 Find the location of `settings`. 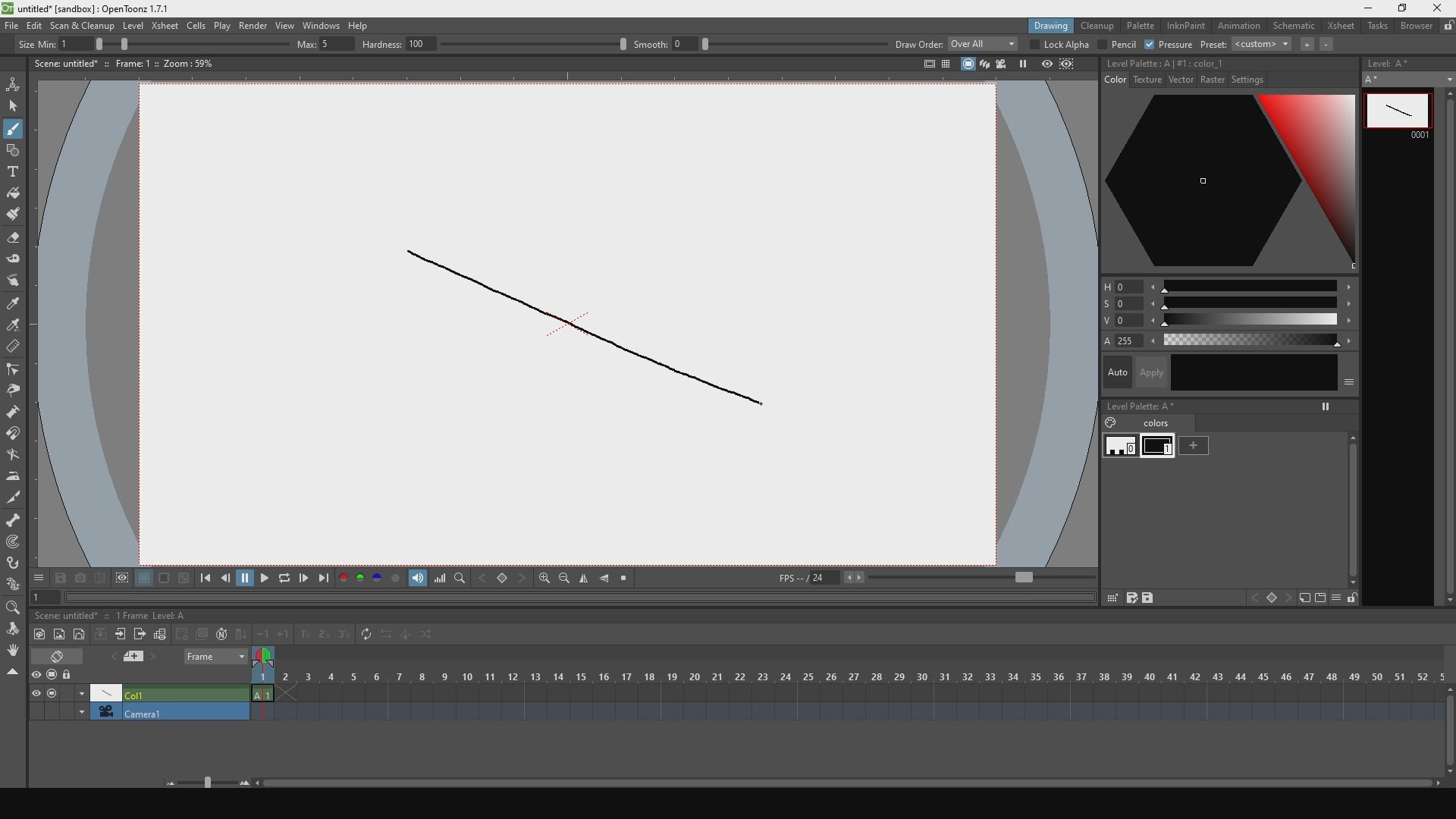

settings is located at coordinates (1255, 80).